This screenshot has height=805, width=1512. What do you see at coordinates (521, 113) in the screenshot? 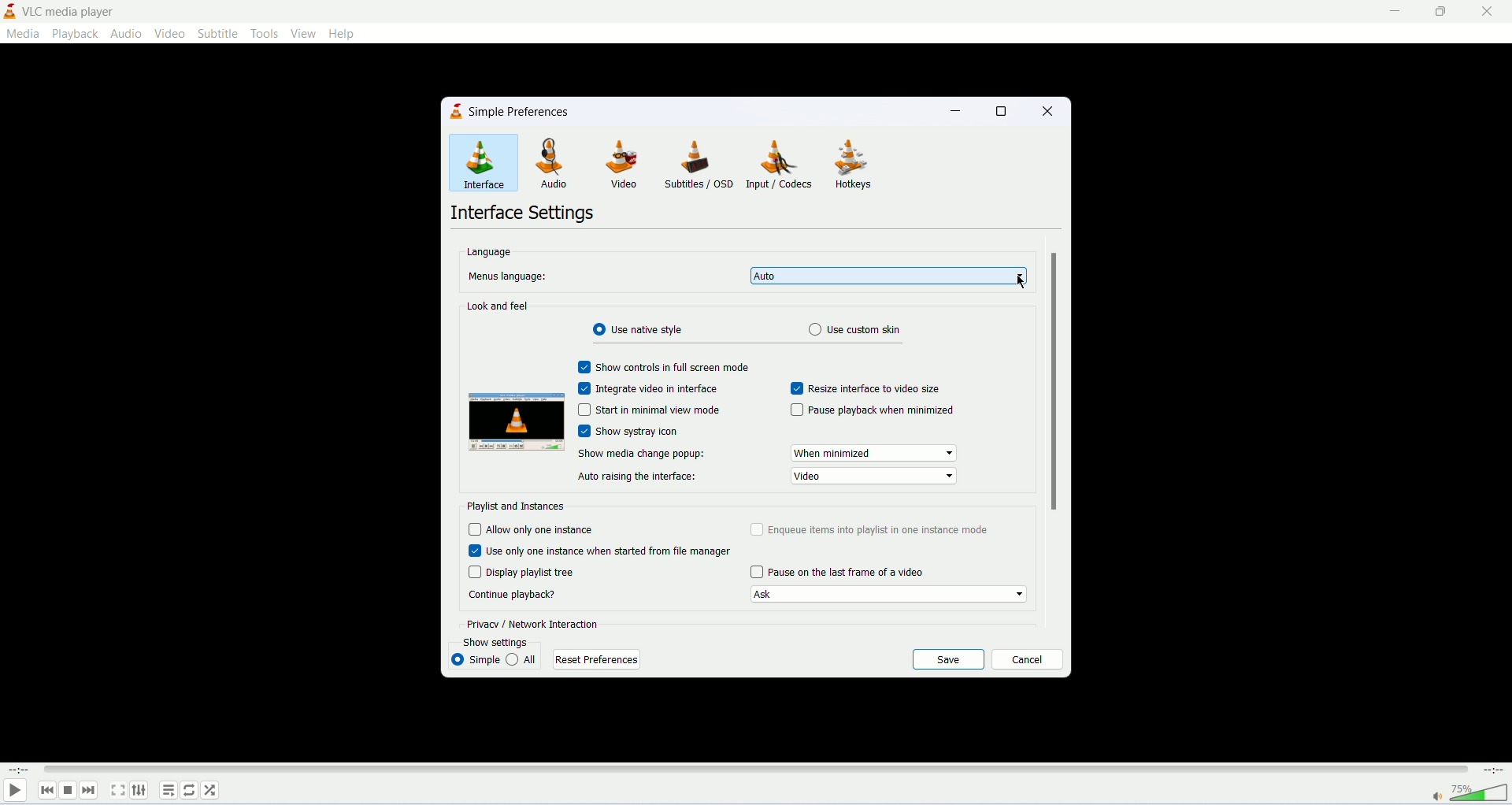
I see `simple preferences` at bounding box center [521, 113].